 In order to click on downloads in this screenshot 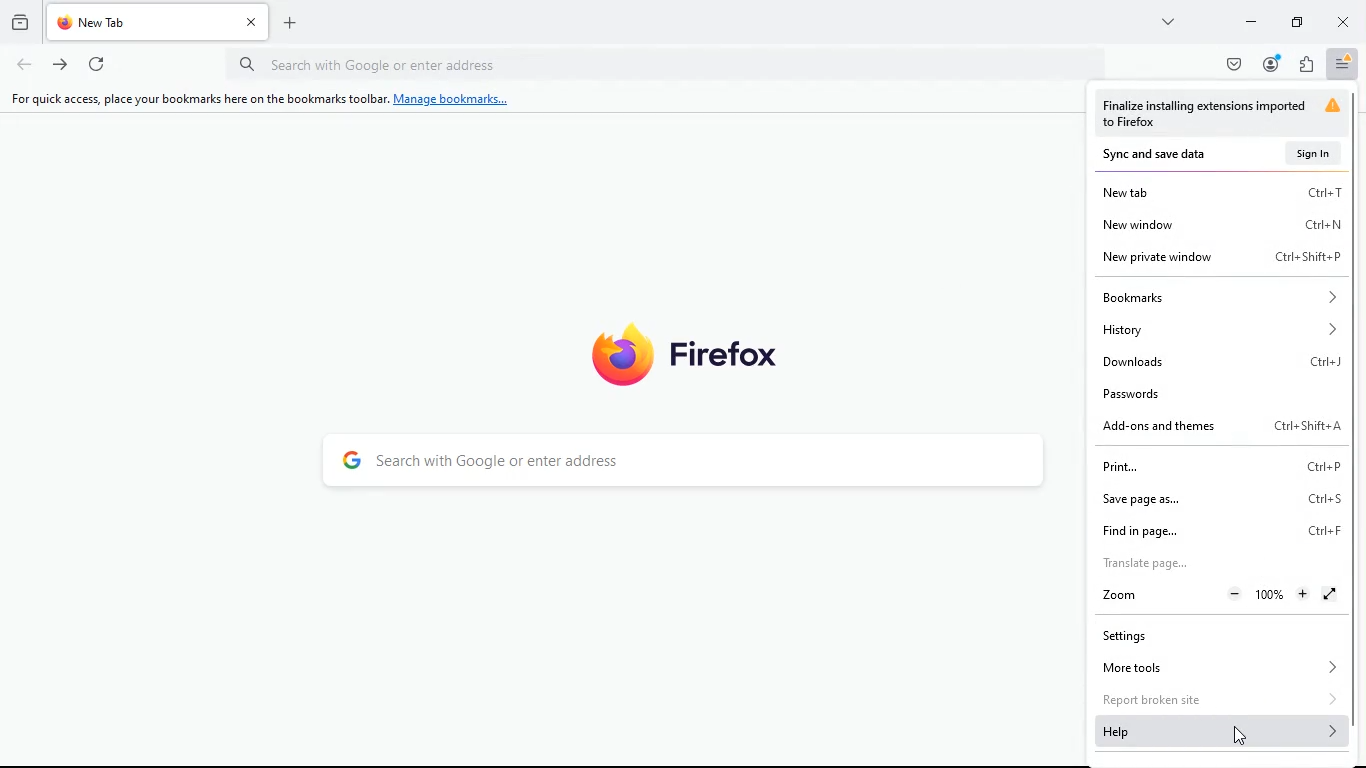, I will do `click(1220, 361)`.